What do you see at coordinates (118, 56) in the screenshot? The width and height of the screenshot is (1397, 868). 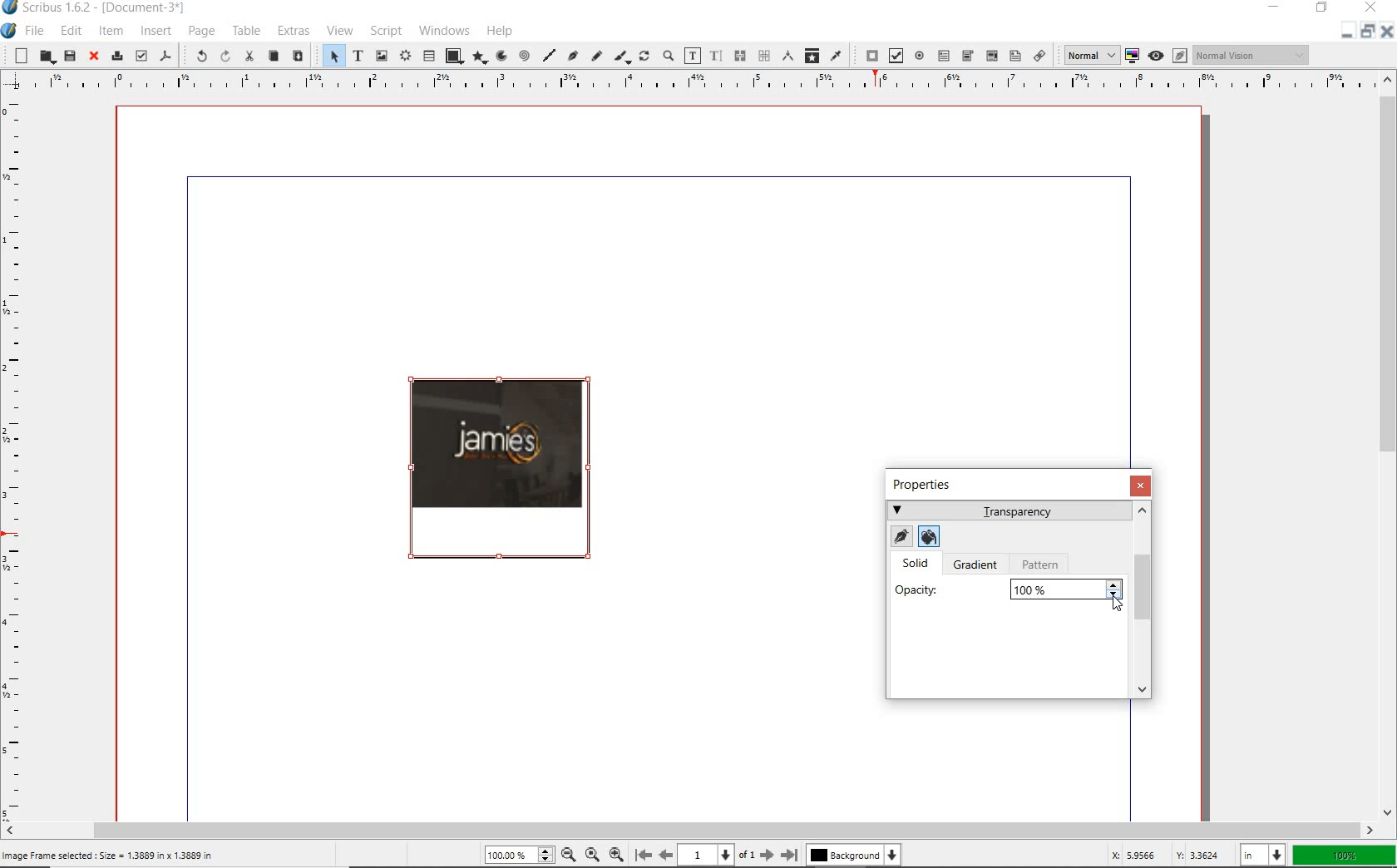 I see `print` at bounding box center [118, 56].